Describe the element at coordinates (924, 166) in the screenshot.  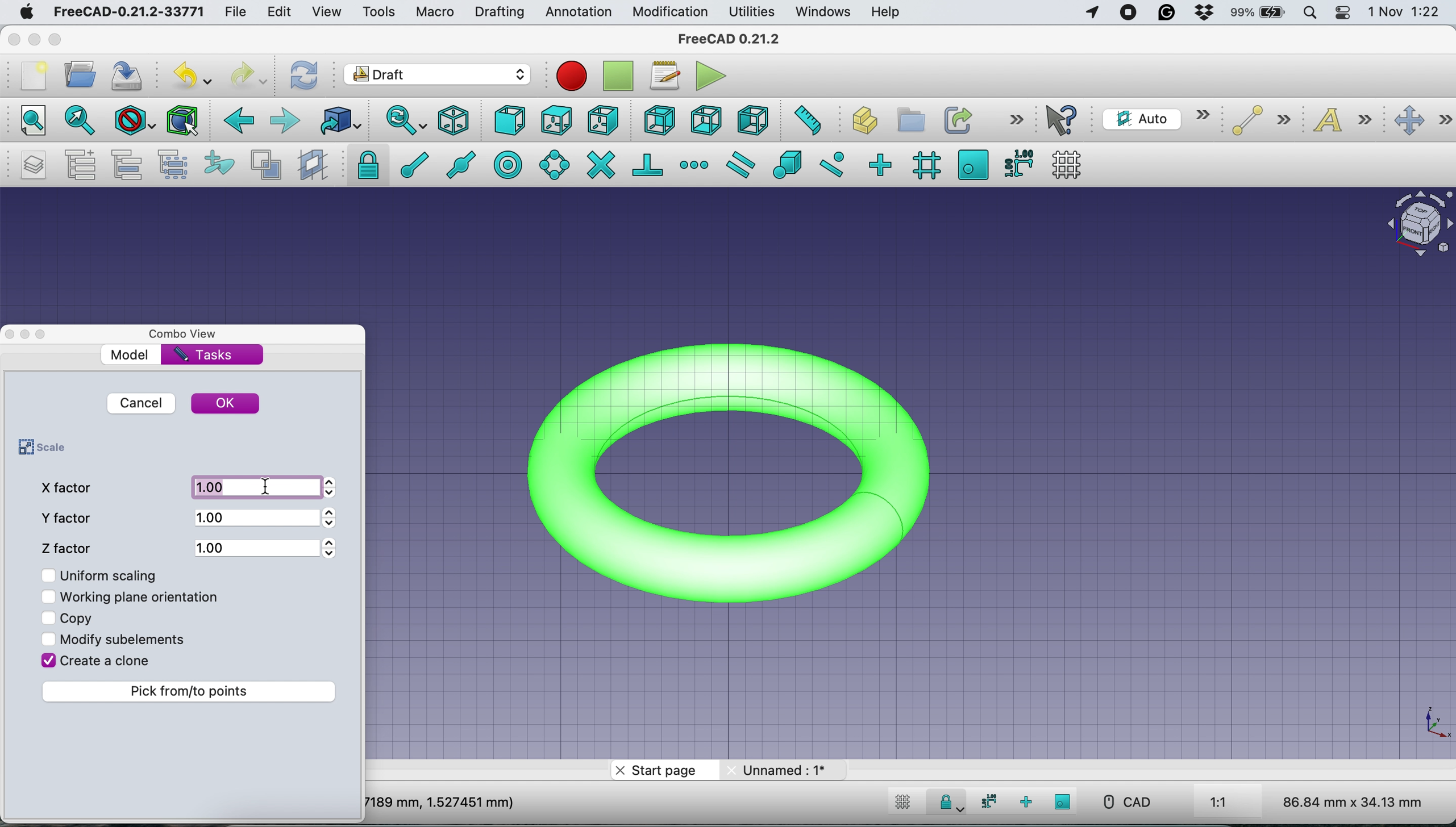
I see `snap grid` at that location.